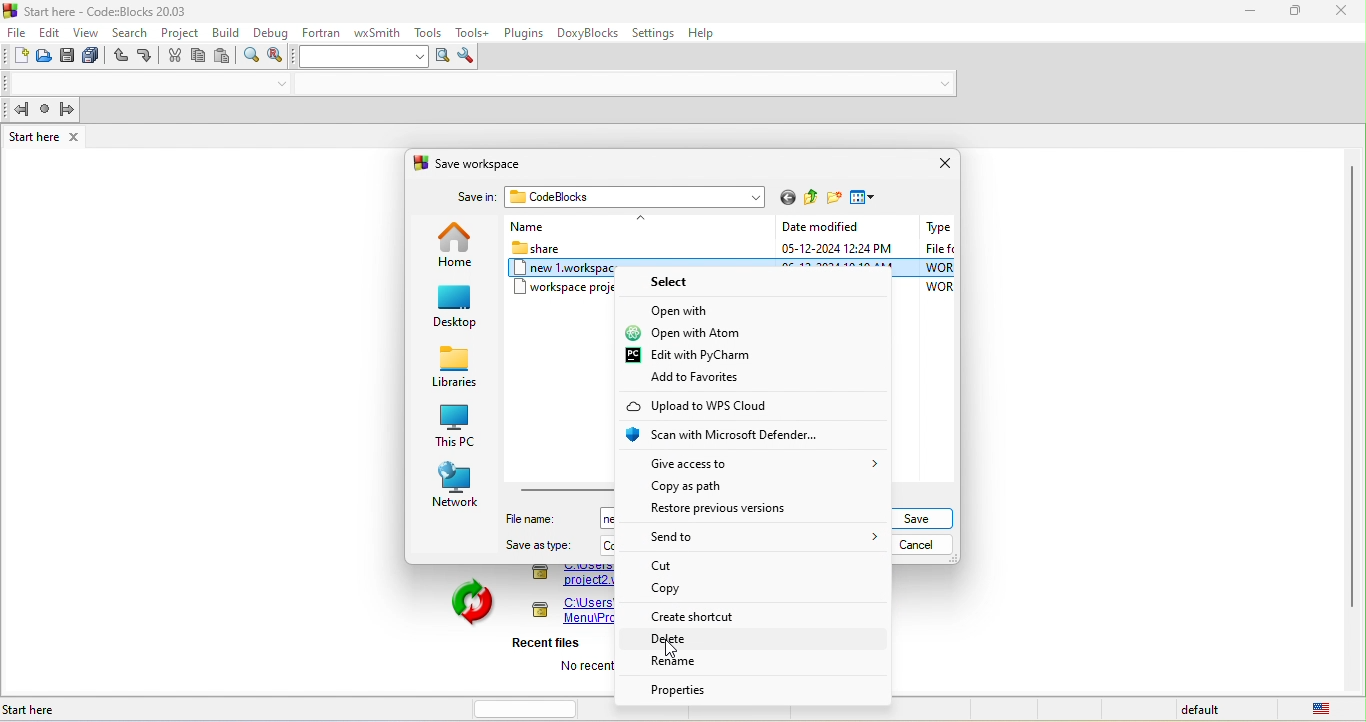 This screenshot has height=722, width=1366. What do you see at coordinates (711, 408) in the screenshot?
I see `upload to wps cloud` at bounding box center [711, 408].